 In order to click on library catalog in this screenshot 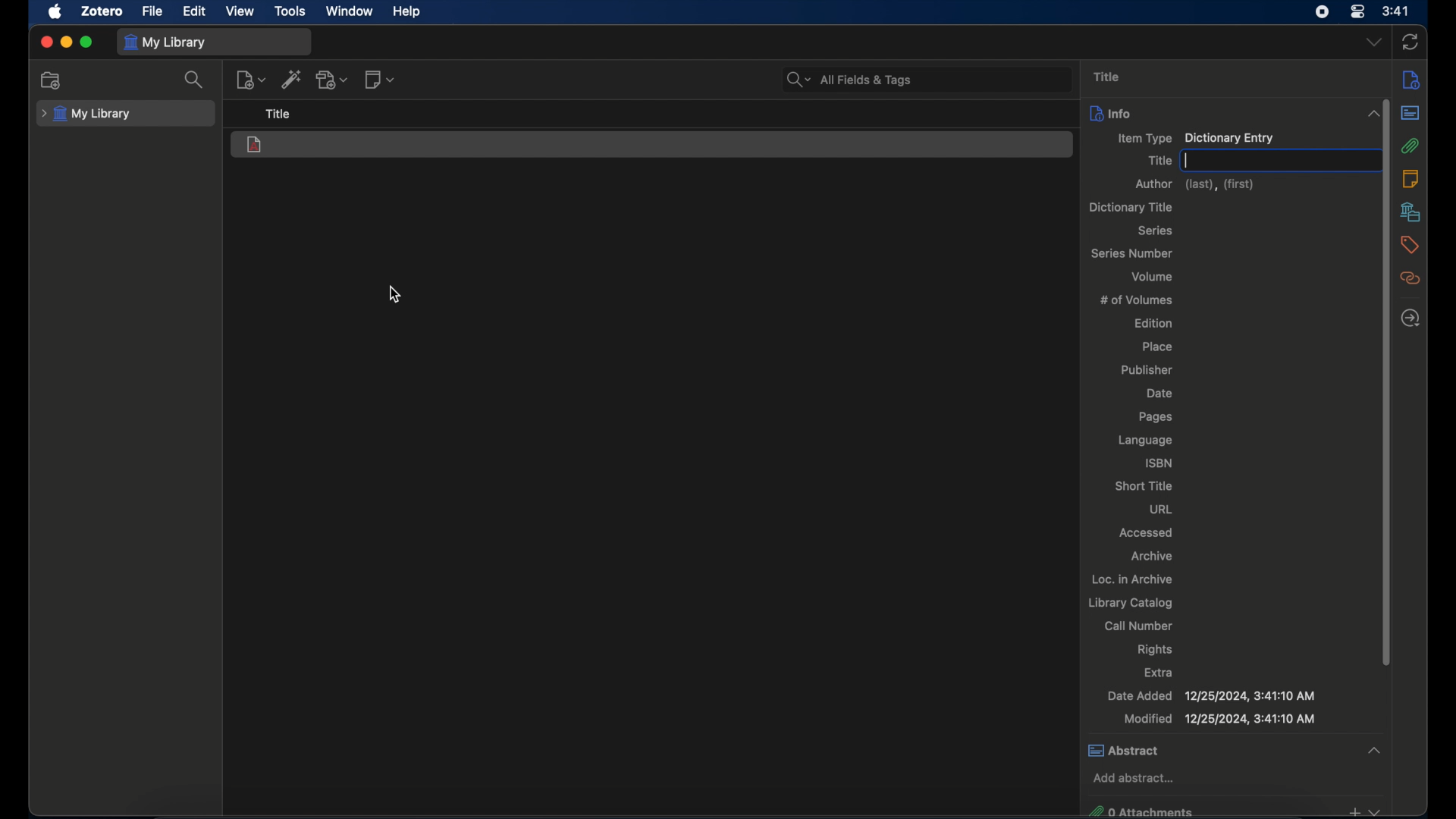, I will do `click(1131, 603)`.